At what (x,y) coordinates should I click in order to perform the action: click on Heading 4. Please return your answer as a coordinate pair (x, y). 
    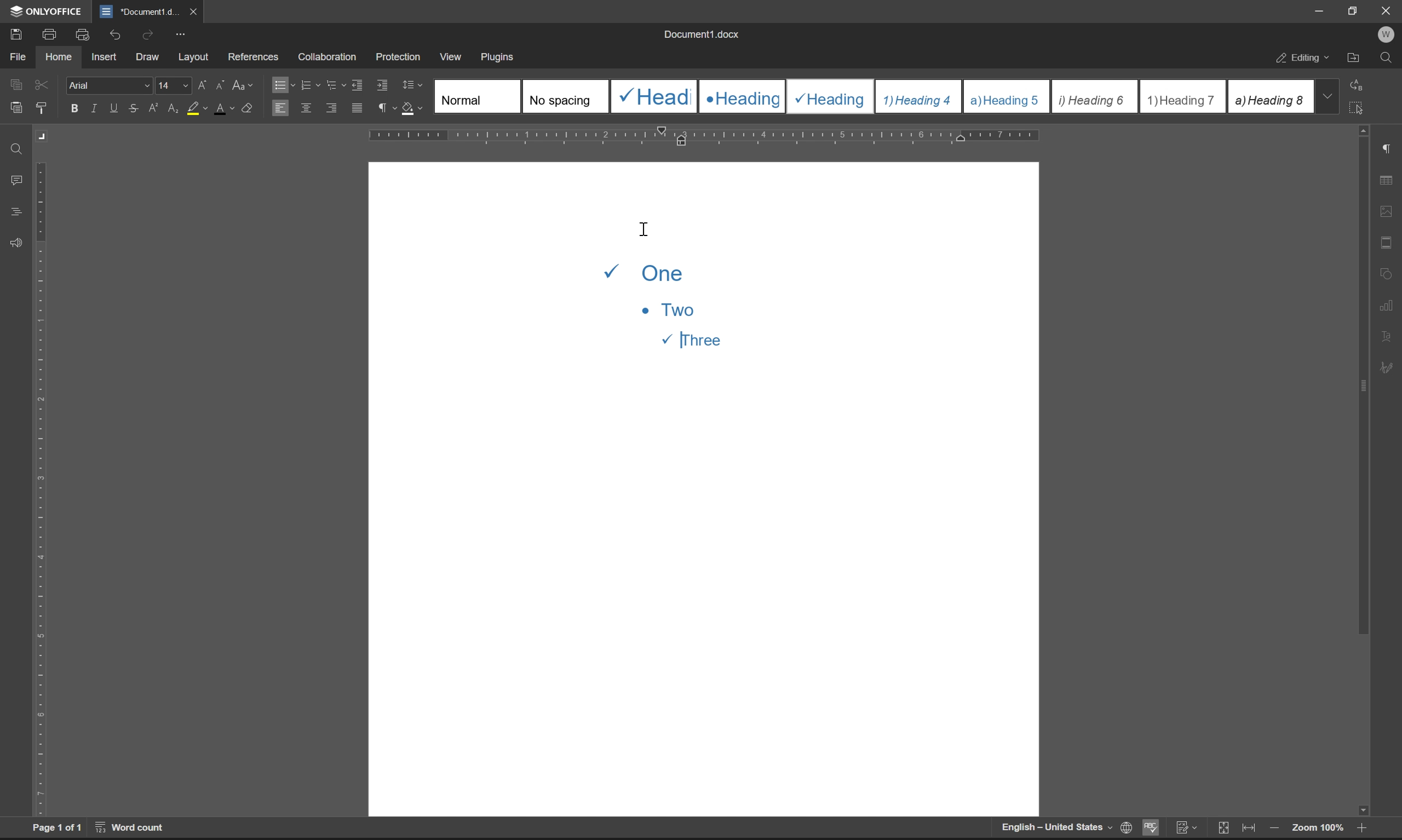
    Looking at the image, I should click on (919, 97).